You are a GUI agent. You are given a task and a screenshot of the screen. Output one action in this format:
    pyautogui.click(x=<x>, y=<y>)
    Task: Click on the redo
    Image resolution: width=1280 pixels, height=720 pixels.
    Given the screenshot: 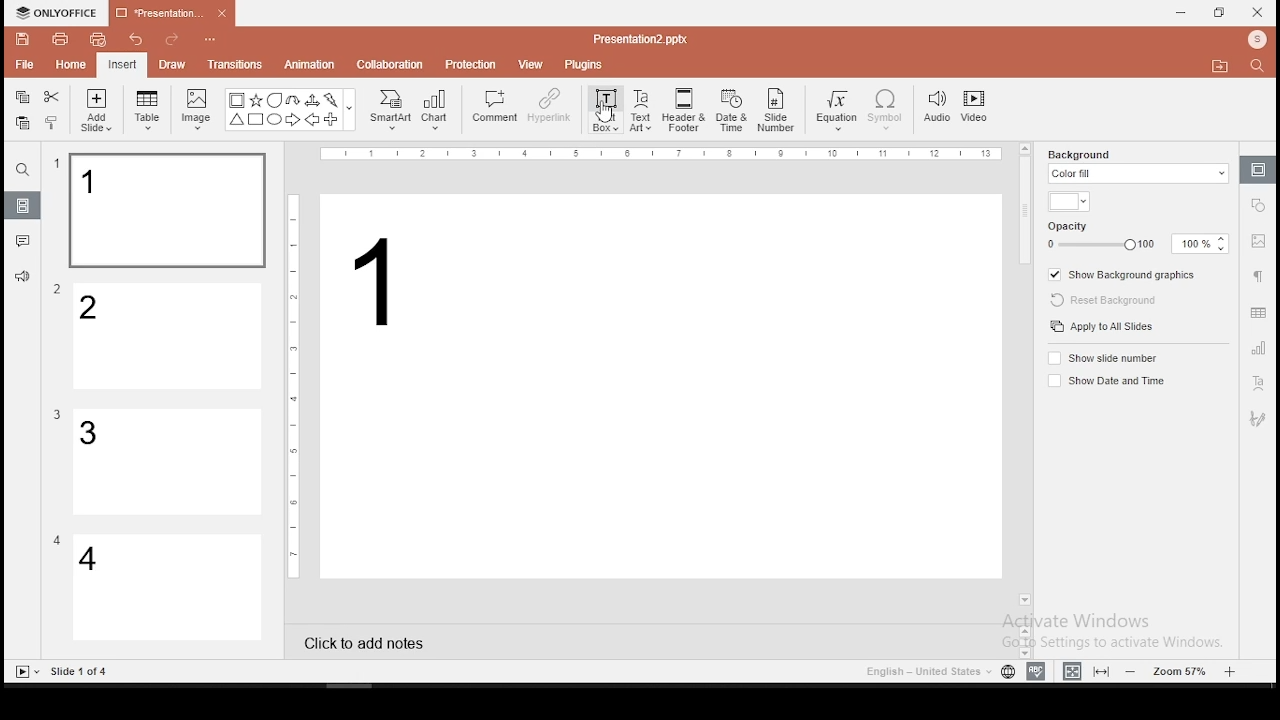 What is the action you would take?
    pyautogui.click(x=172, y=42)
    